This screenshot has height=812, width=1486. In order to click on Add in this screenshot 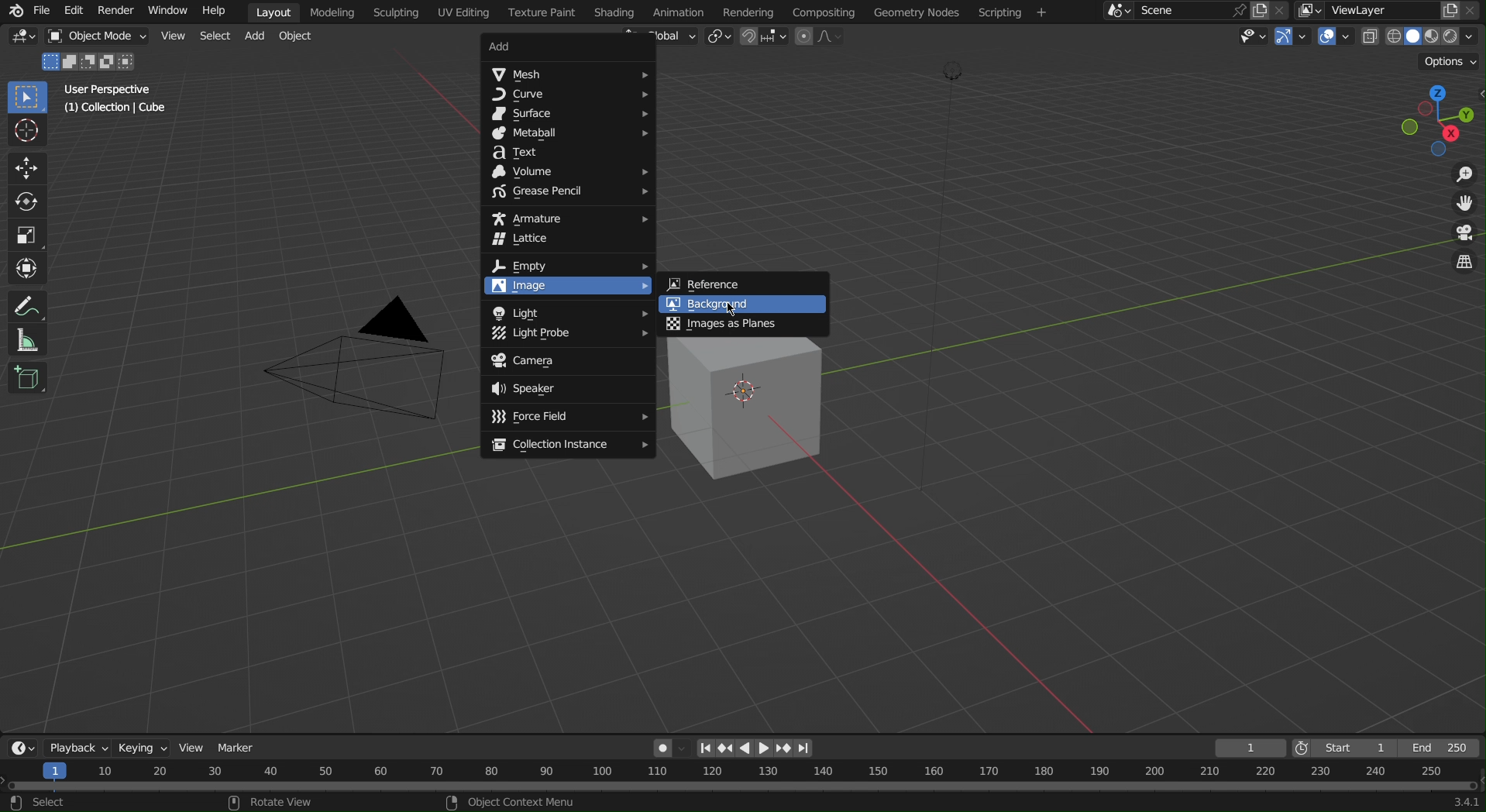, I will do `click(558, 47)`.